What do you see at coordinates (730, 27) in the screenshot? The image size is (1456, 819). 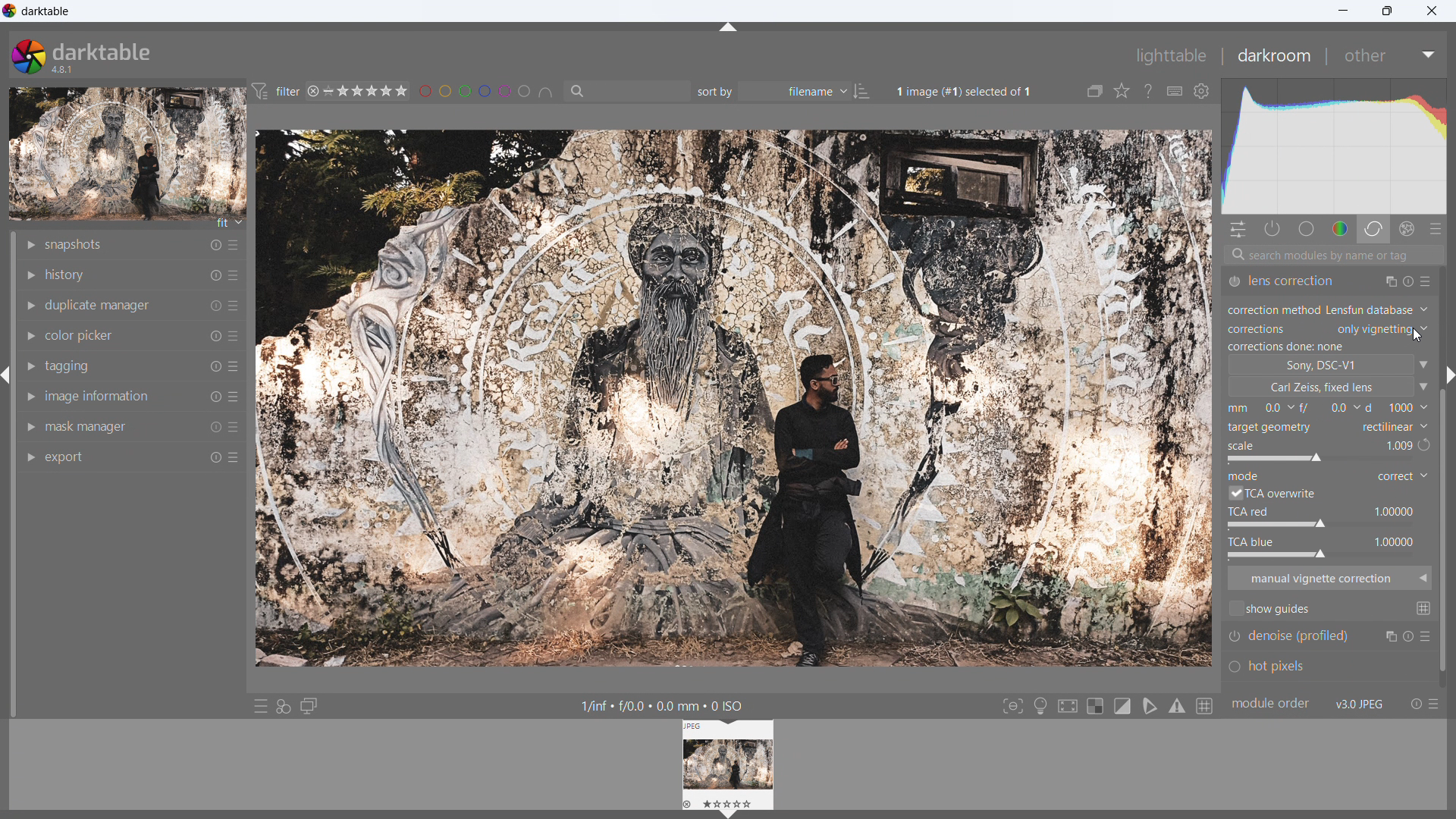 I see `hide panel` at bounding box center [730, 27].